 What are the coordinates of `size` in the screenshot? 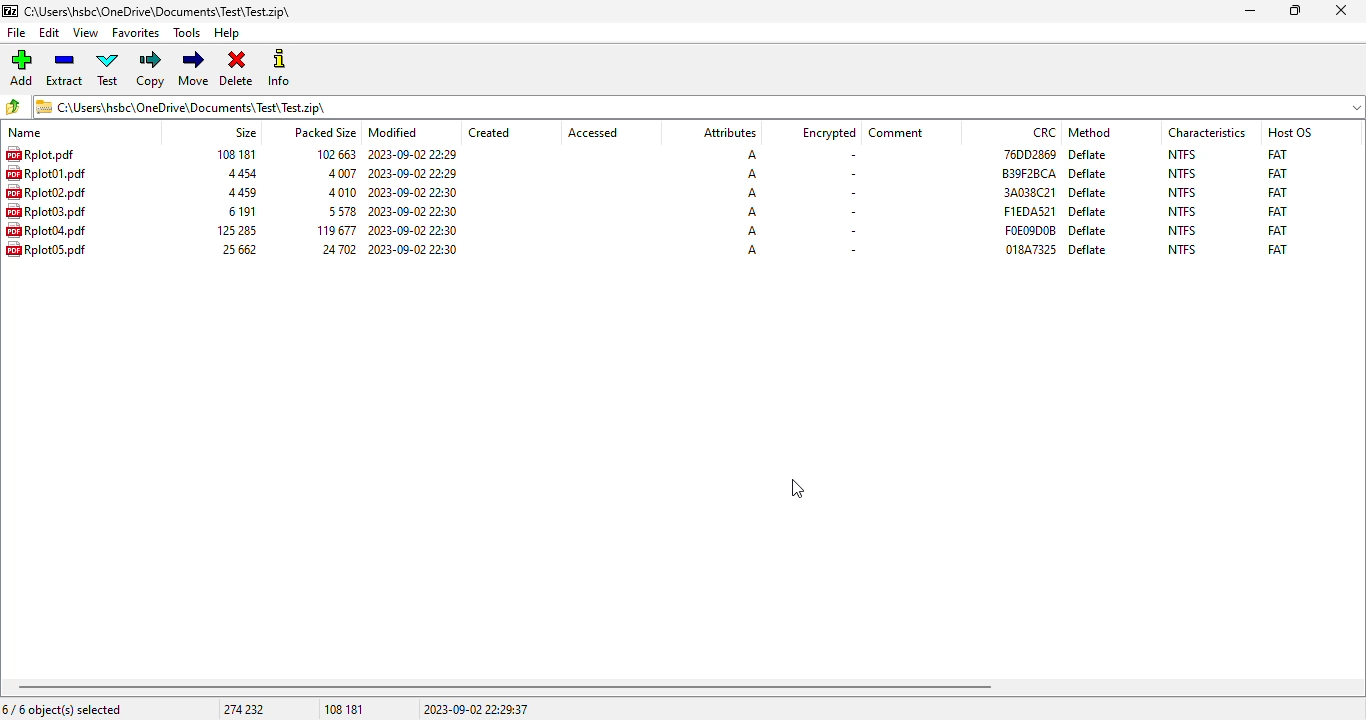 It's located at (235, 154).